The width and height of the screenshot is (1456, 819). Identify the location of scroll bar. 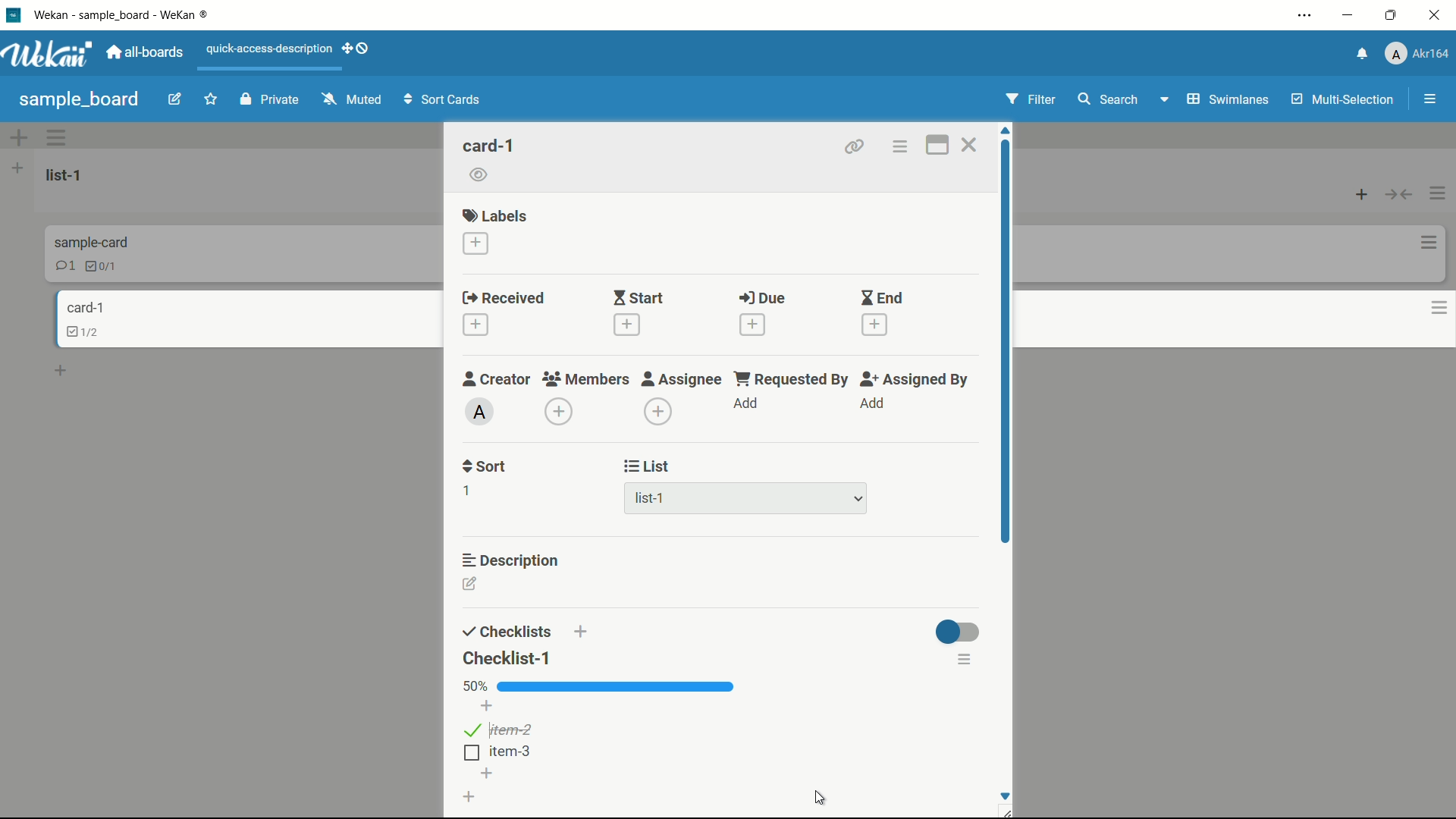
(1003, 346).